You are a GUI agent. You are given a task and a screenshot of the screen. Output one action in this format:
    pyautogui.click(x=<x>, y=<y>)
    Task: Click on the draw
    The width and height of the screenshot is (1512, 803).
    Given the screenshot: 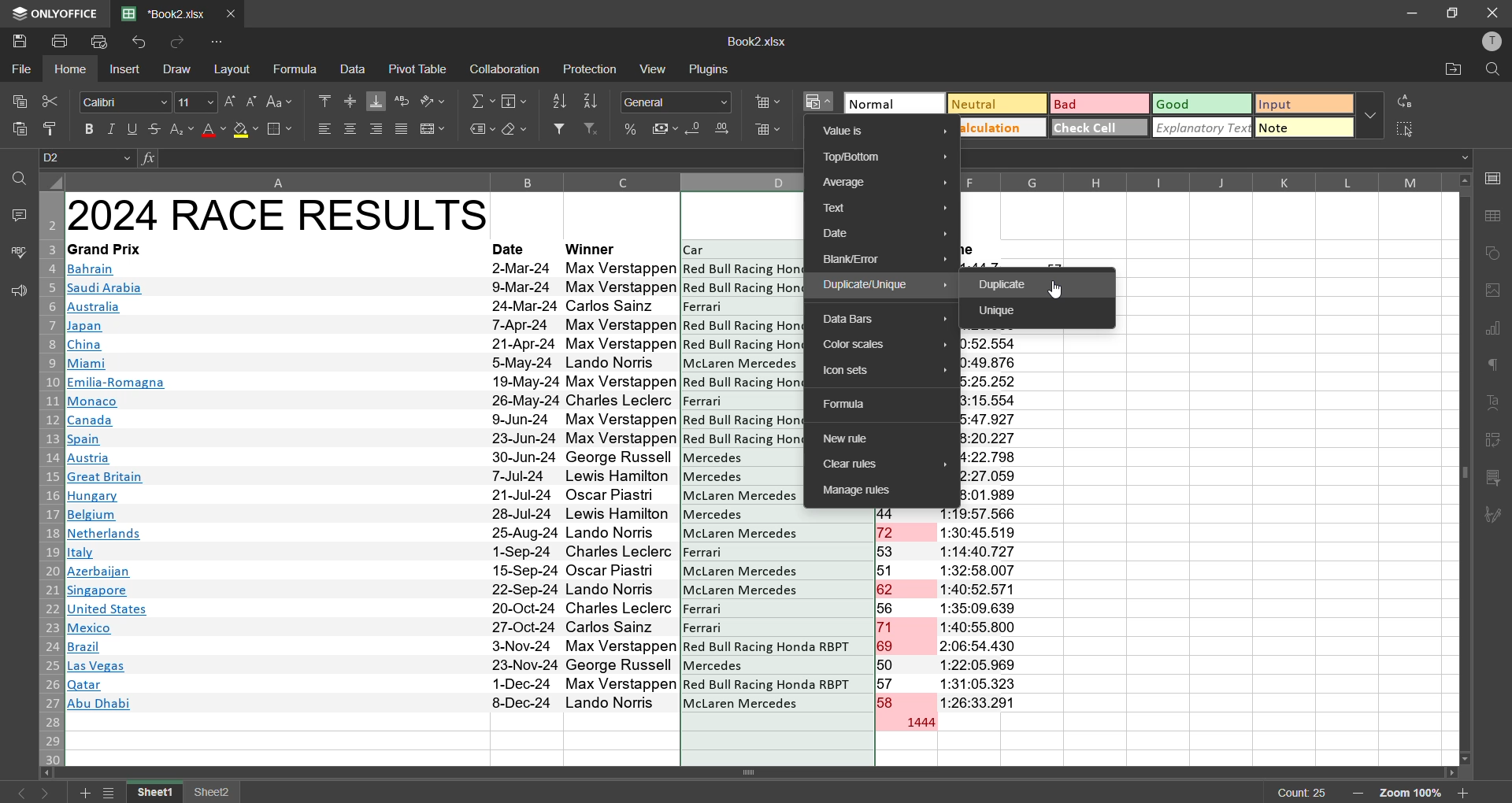 What is the action you would take?
    pyautogui.click(x=175, y=68)
    